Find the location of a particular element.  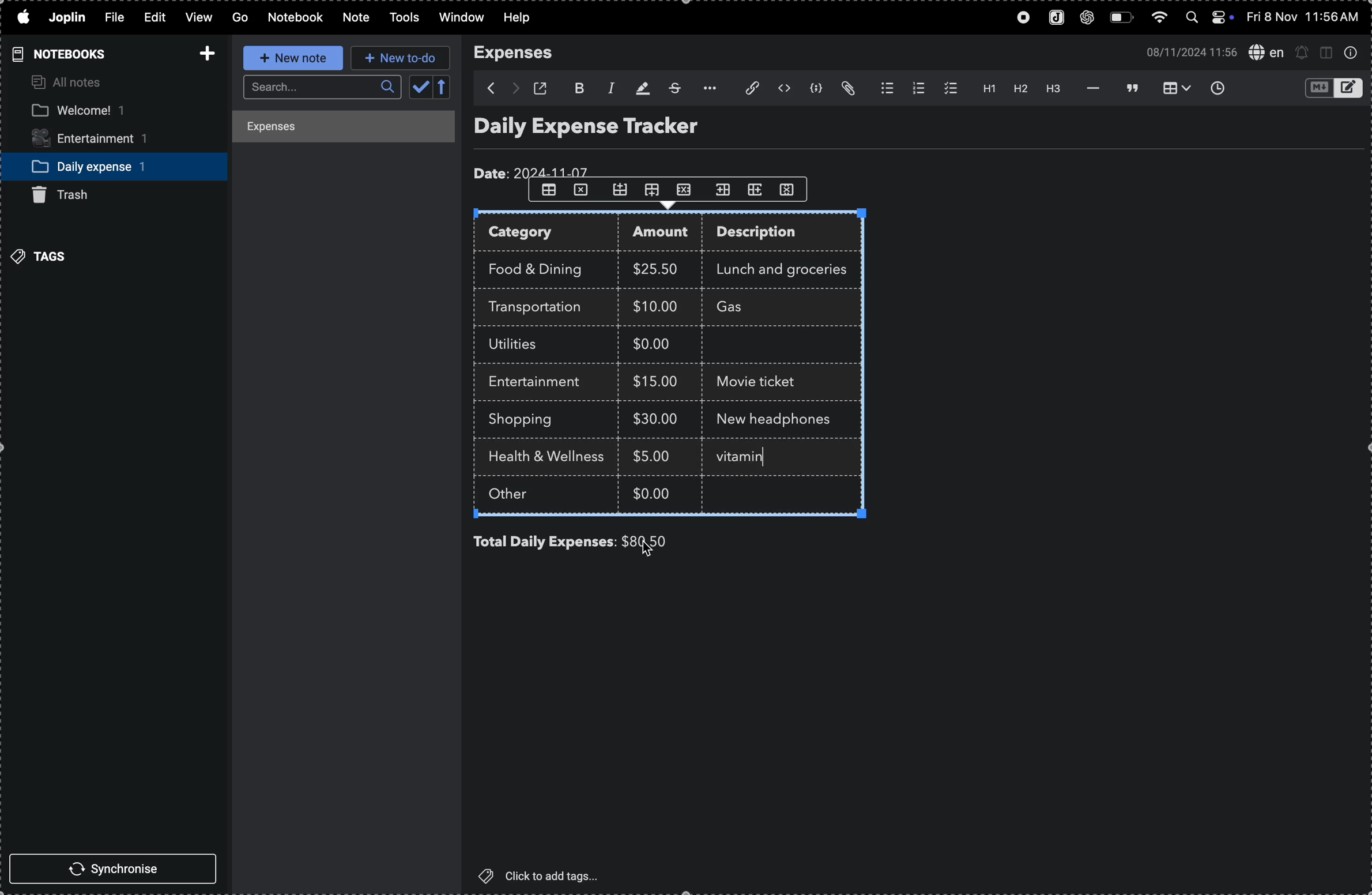

alerts is located at coordinates (1302, 52).